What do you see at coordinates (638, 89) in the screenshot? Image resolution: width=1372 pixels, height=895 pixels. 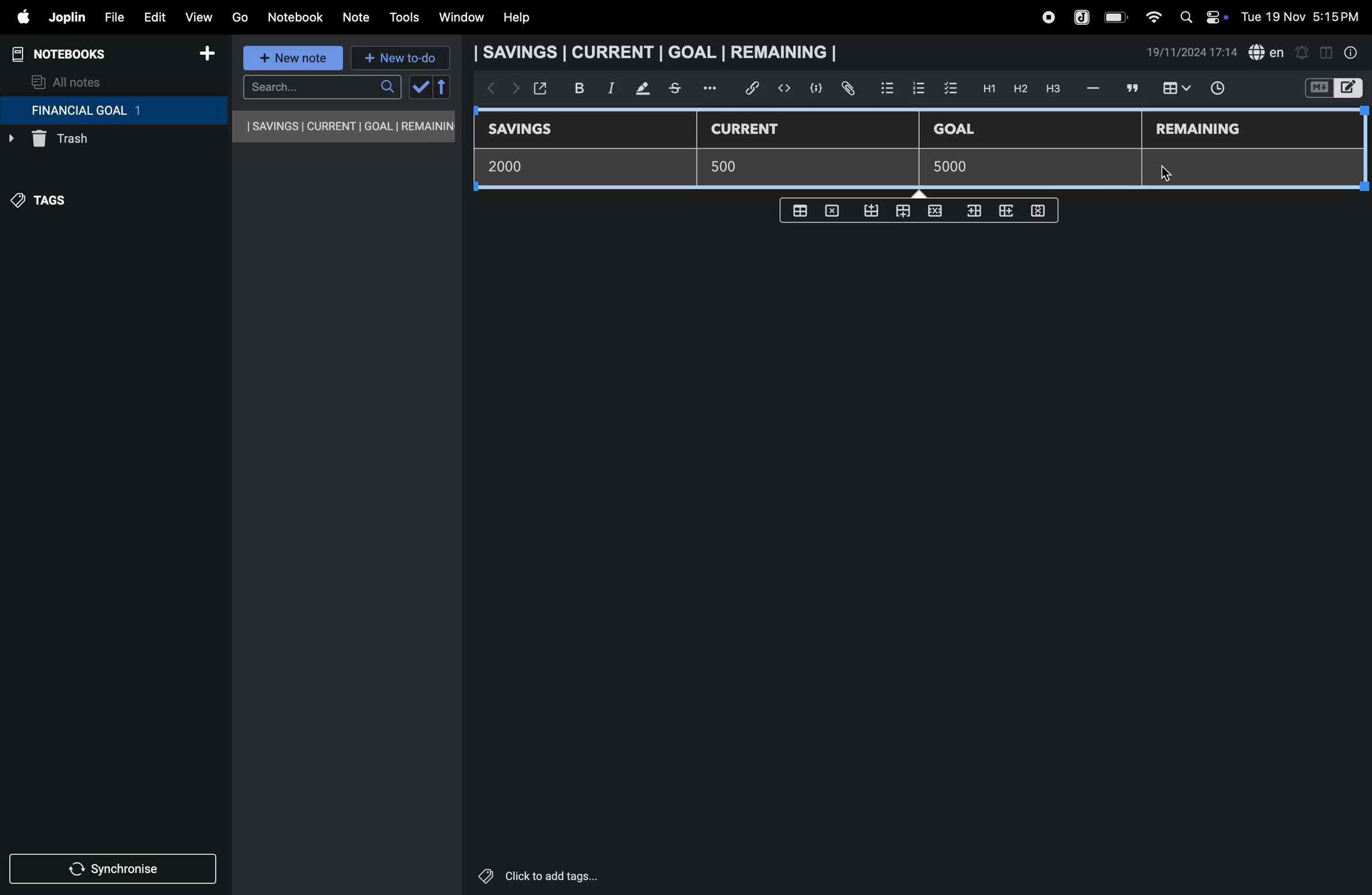 I see `mark` at bounding box center [638, 89].